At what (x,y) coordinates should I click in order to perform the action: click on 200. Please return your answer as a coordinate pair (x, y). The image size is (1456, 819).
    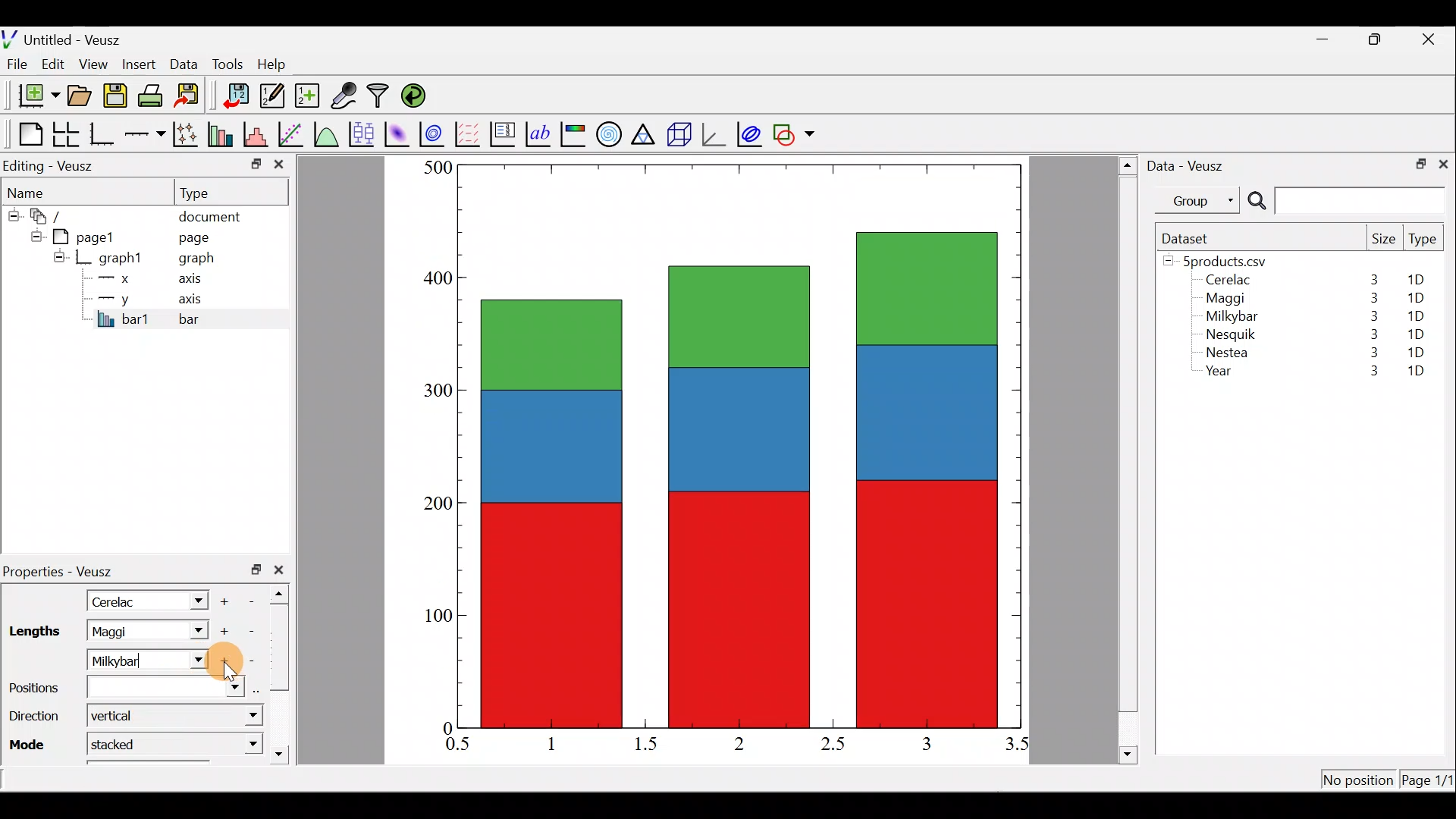
    Looking at the image, I should click on (438, 506).